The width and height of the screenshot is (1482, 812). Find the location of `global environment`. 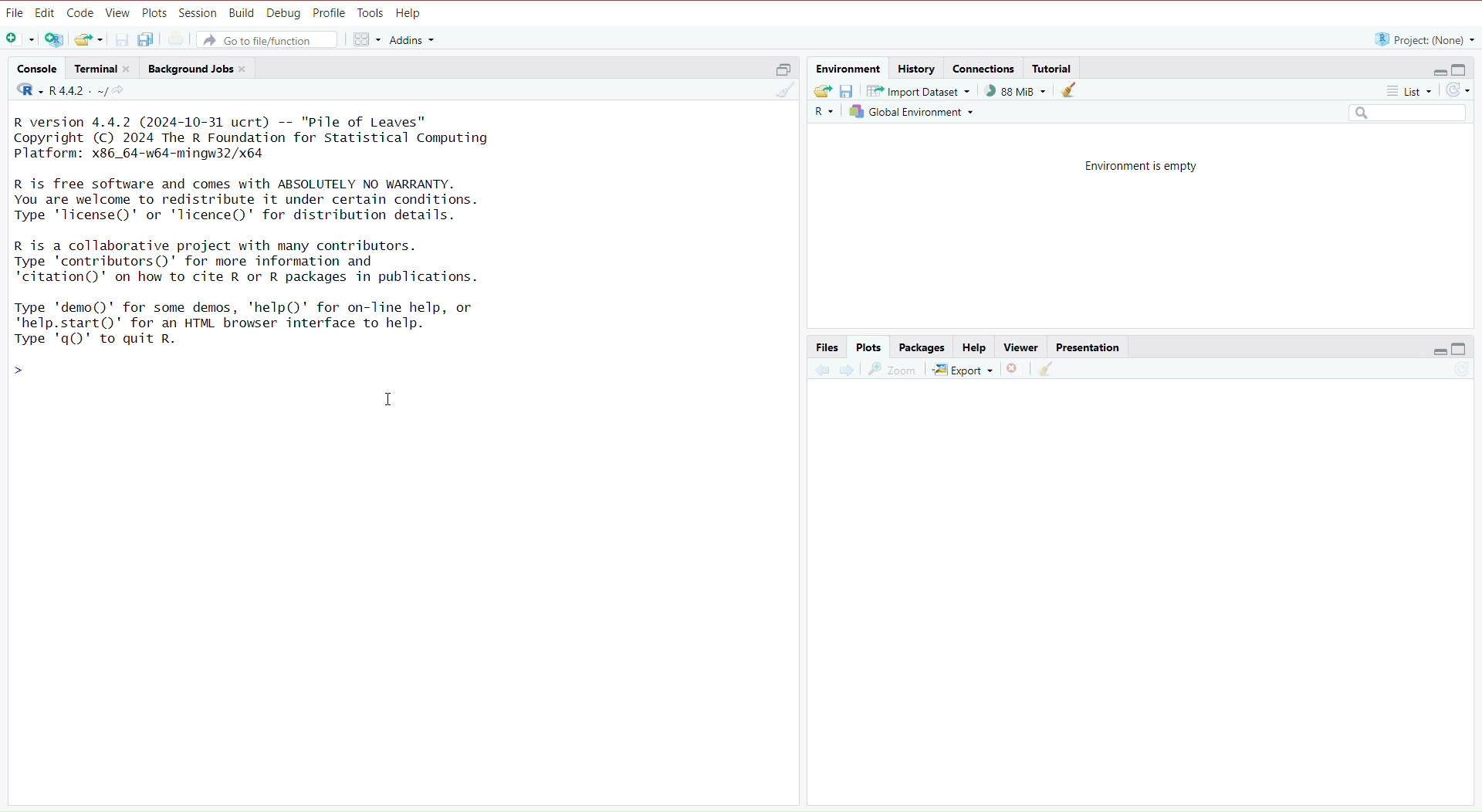

global environment is located at coordinates (911, 111).